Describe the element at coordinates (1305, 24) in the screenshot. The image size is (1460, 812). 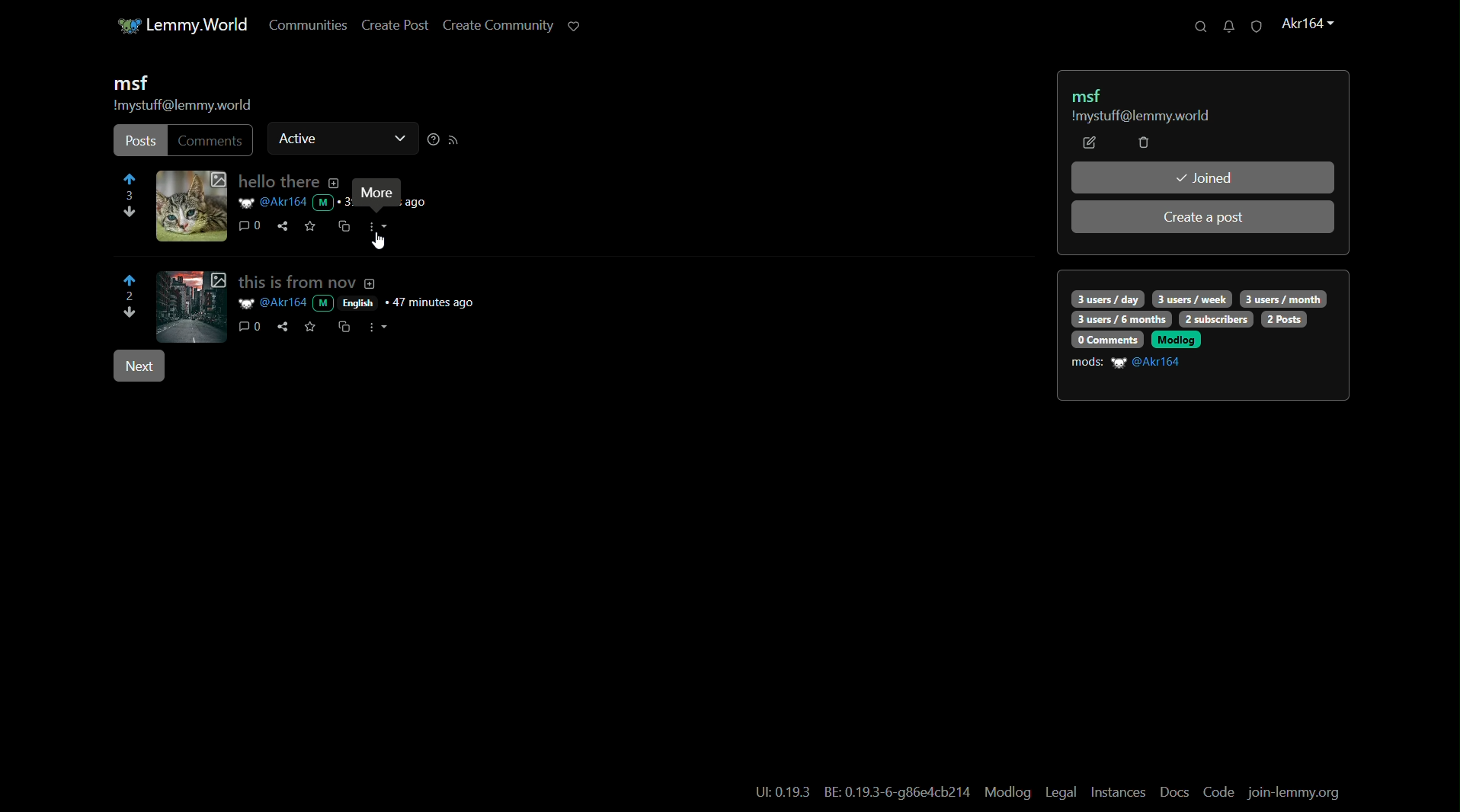
I see `profile` at that location.